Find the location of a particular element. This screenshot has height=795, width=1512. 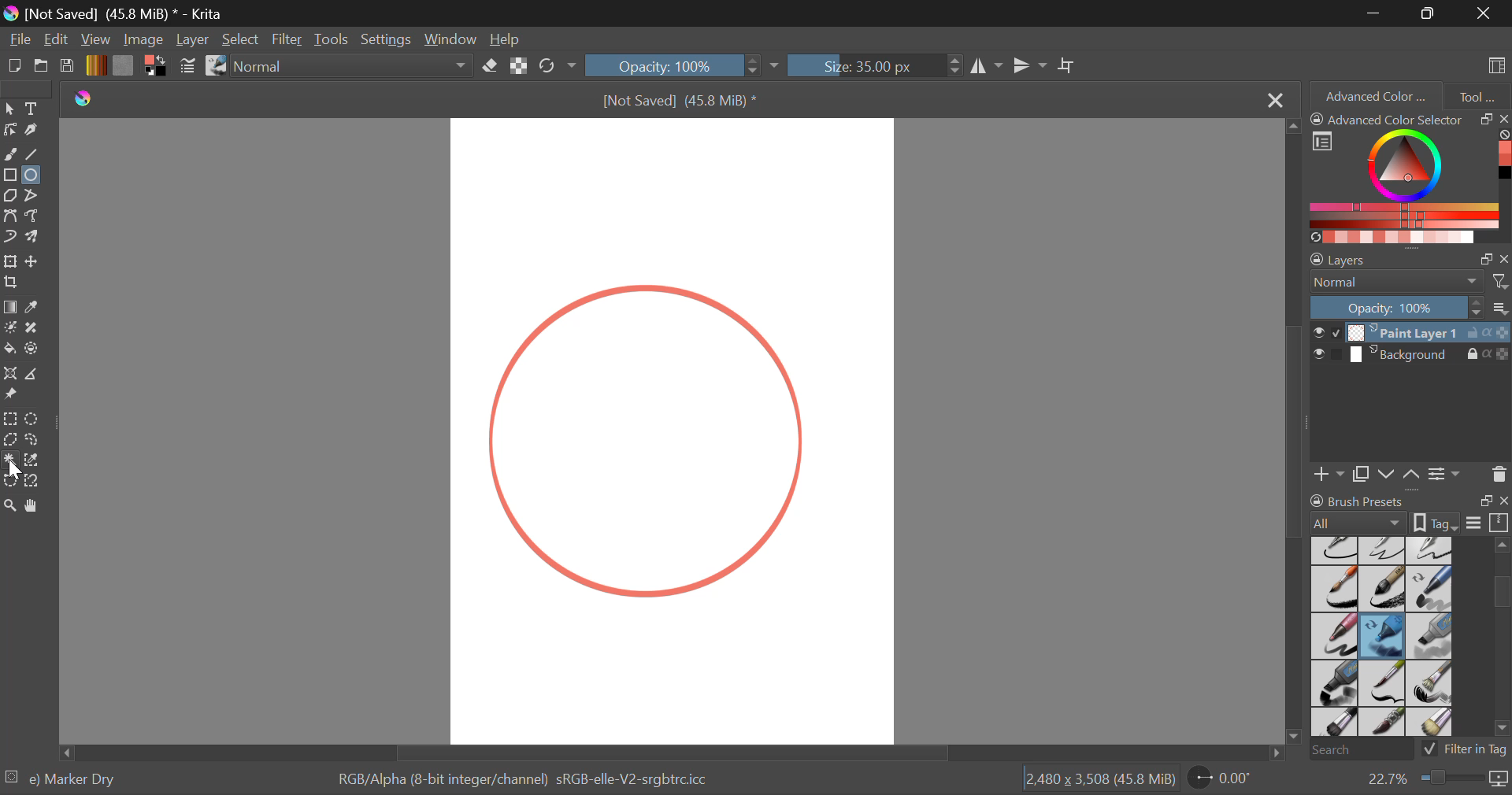

Rectangle is located at coordinates (9, 176).